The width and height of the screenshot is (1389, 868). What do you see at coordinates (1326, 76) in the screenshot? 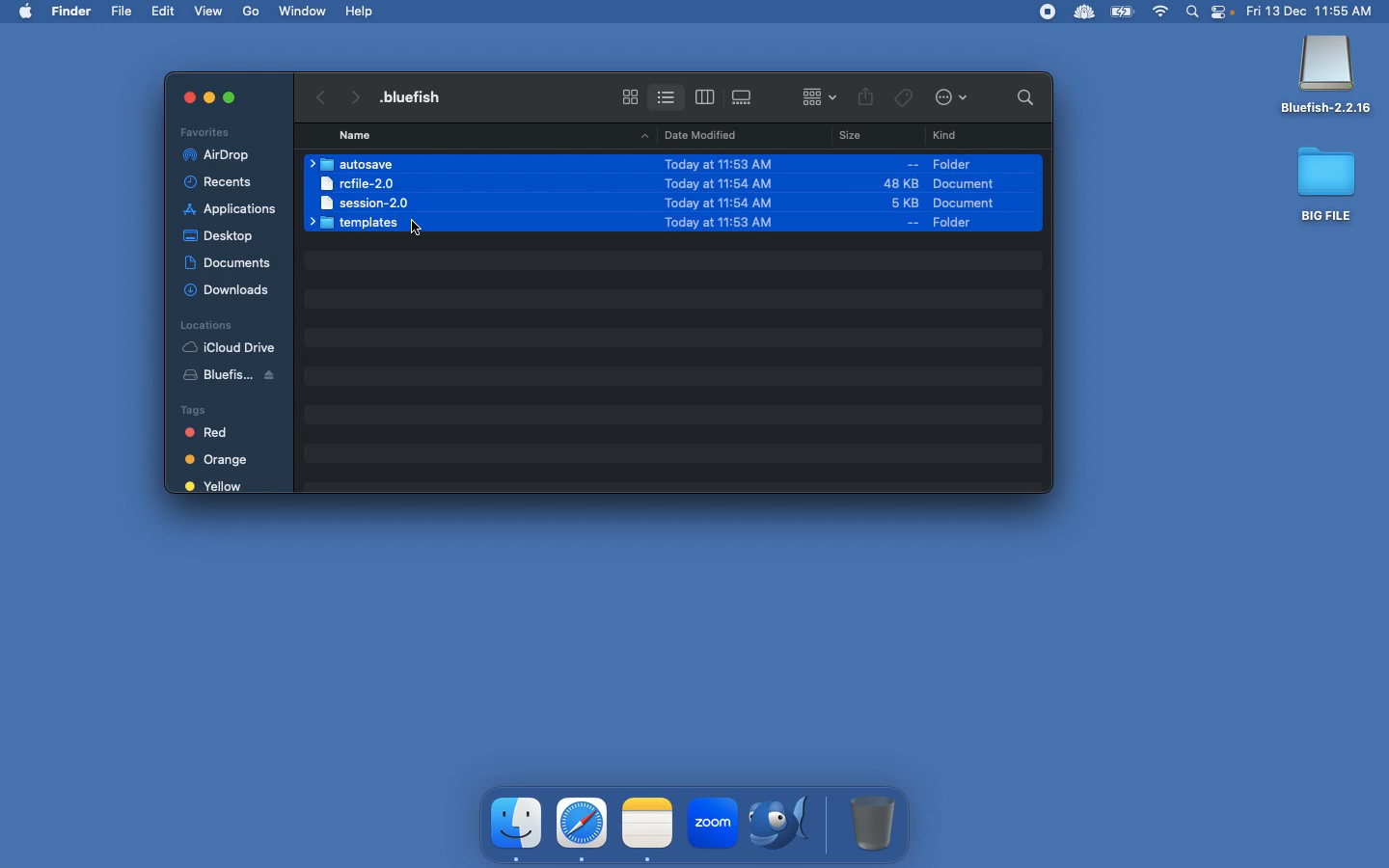
I see `Bluefish` at bounding box center [1326, 76].